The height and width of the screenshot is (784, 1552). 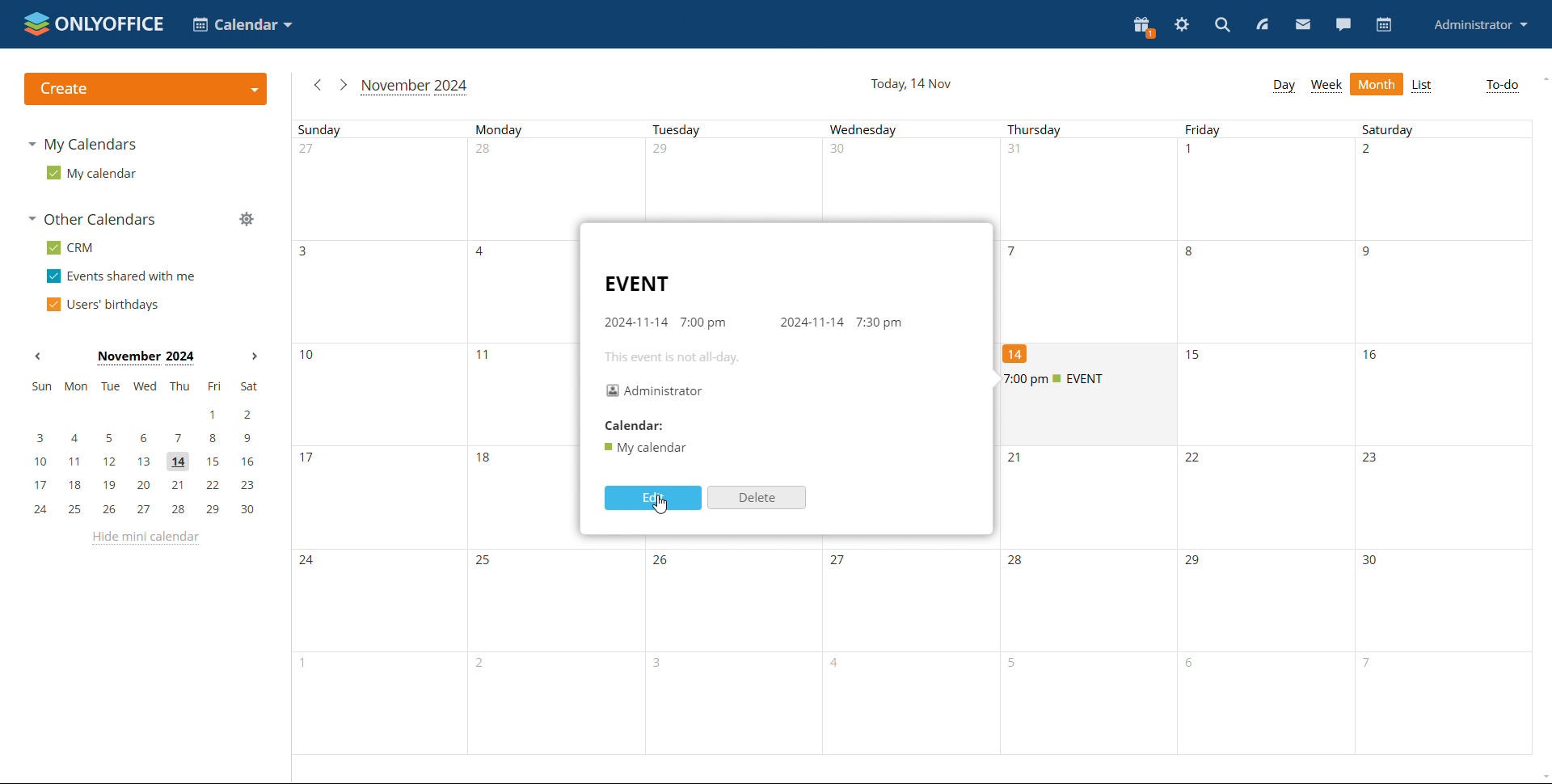 What do you see at coordinates (1385, 25) in the screenshot?
I see `calendar` at bounding box center [1385, 25].